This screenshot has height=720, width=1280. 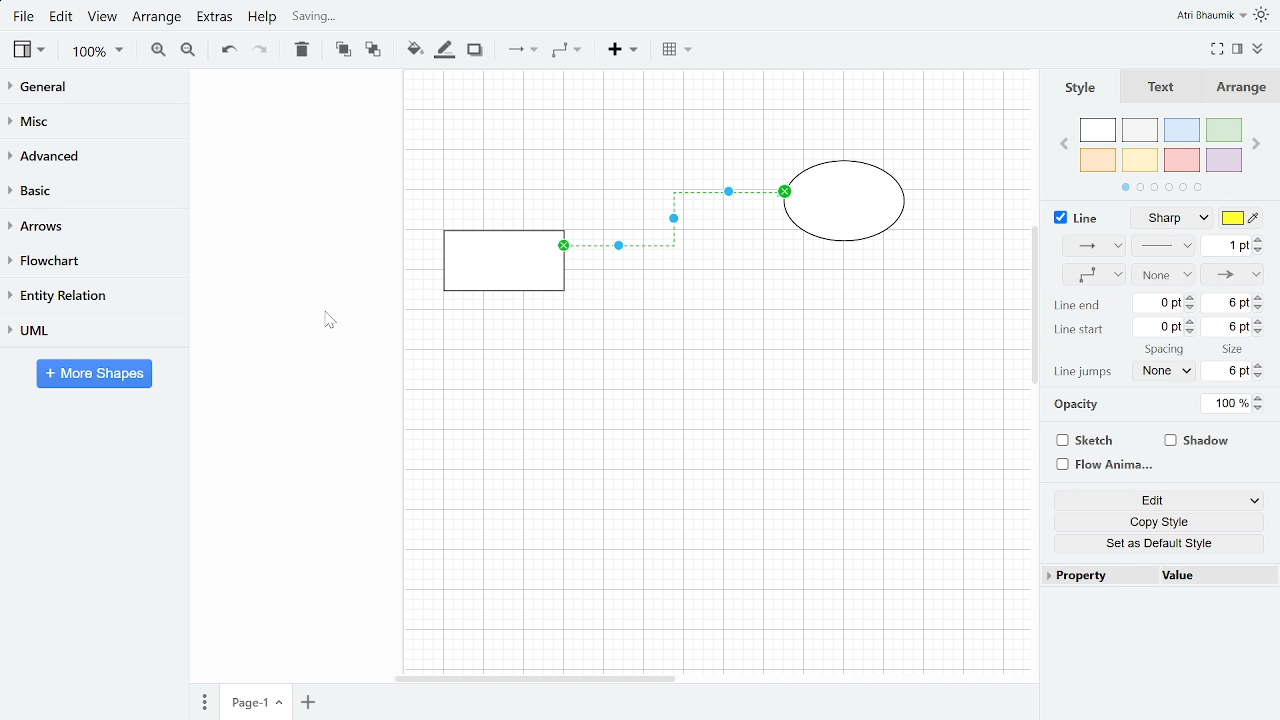 What do you see at coordinates (1192, 333) in the screenshot?
I see `Decrease line start spacing` at bounding box center [1192, 333].